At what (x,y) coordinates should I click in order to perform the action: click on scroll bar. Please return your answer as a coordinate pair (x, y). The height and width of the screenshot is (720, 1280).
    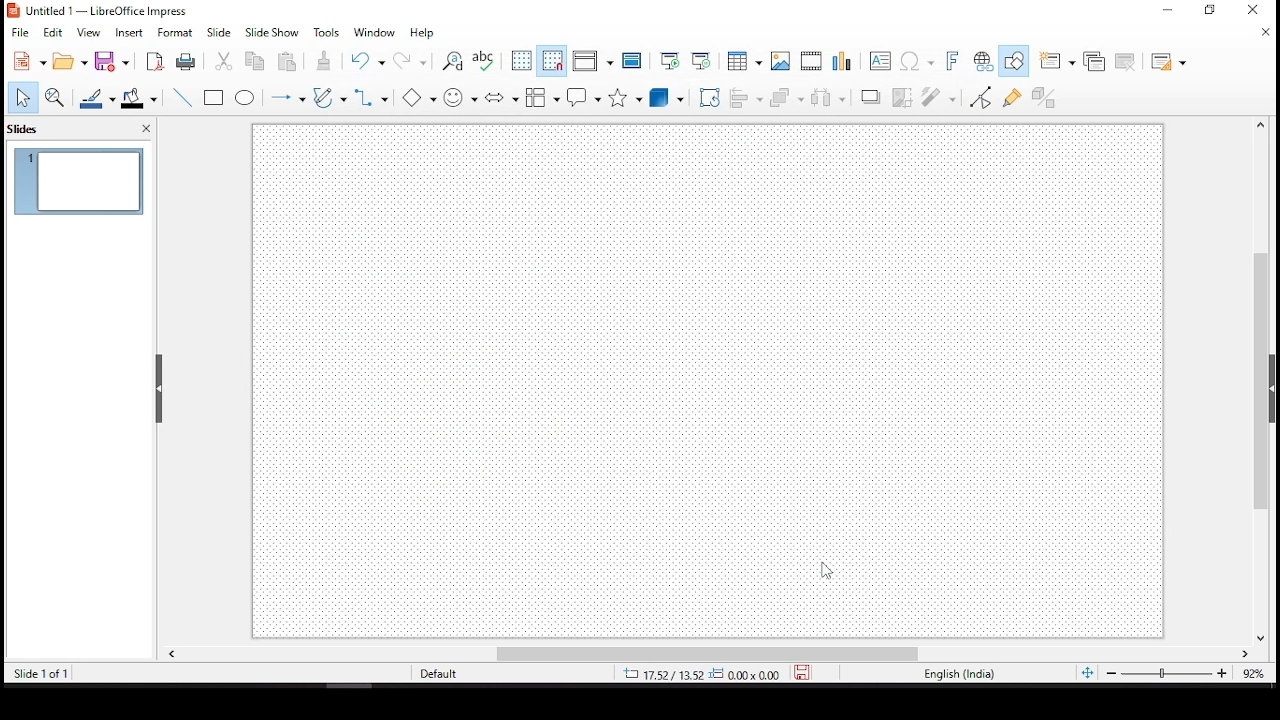
    Looking at the image, I should click on (707, 653).